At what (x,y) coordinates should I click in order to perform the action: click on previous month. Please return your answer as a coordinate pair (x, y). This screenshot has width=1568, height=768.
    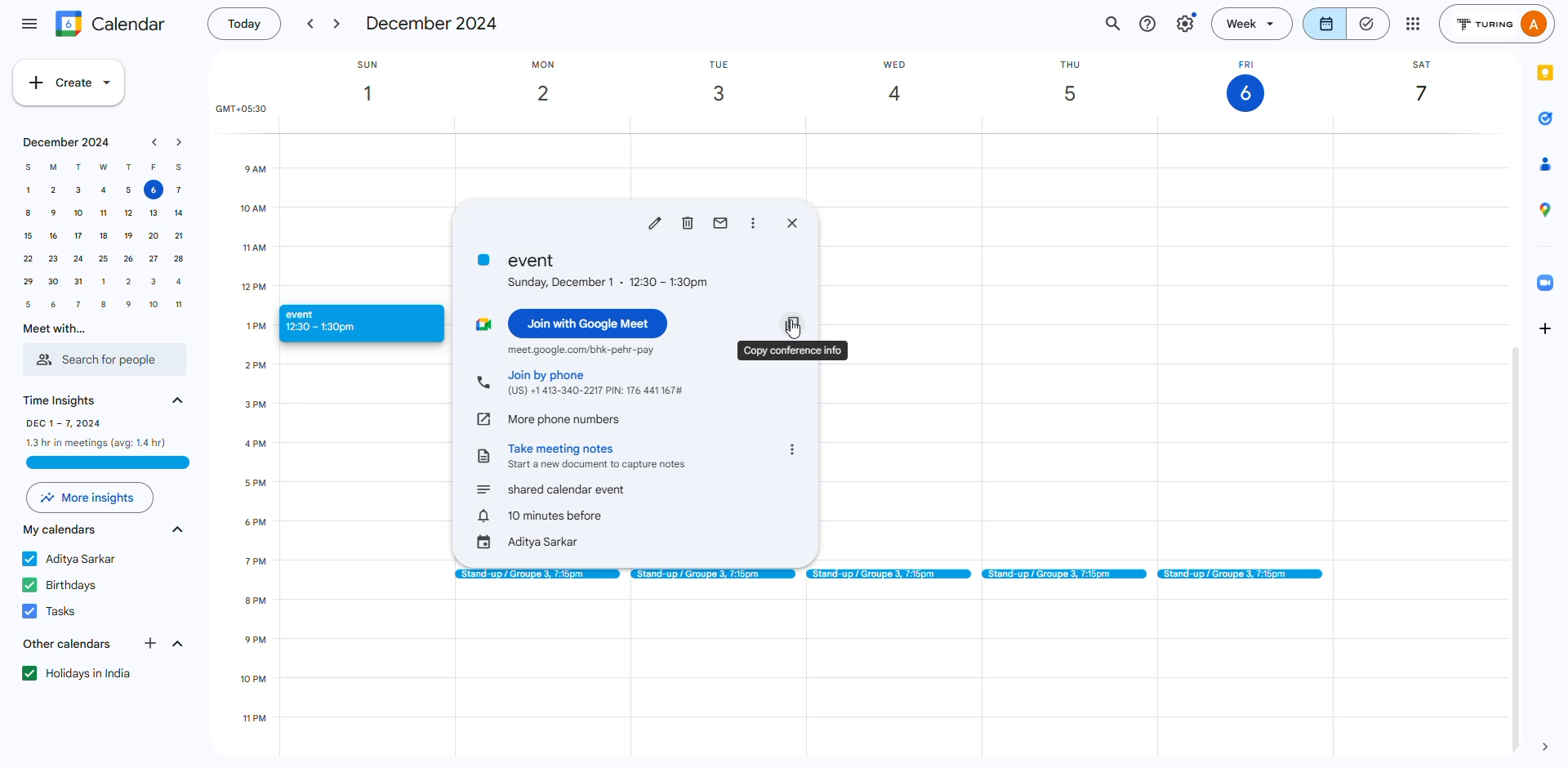
    Looking at the image, I should click on (154, 143).